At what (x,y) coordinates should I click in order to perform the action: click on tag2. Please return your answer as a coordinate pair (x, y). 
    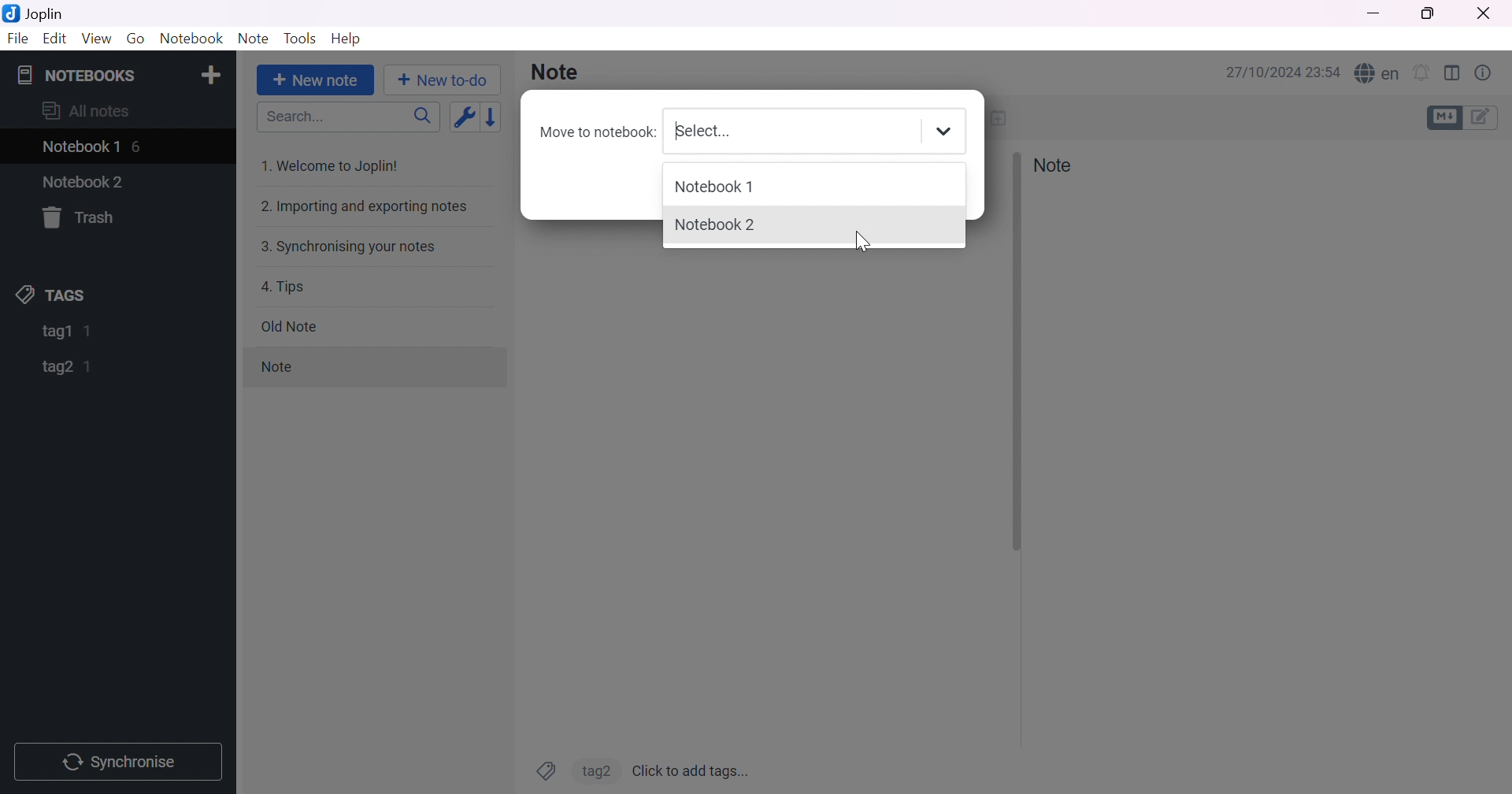
    Looking at the image, I should click on (58, 367).